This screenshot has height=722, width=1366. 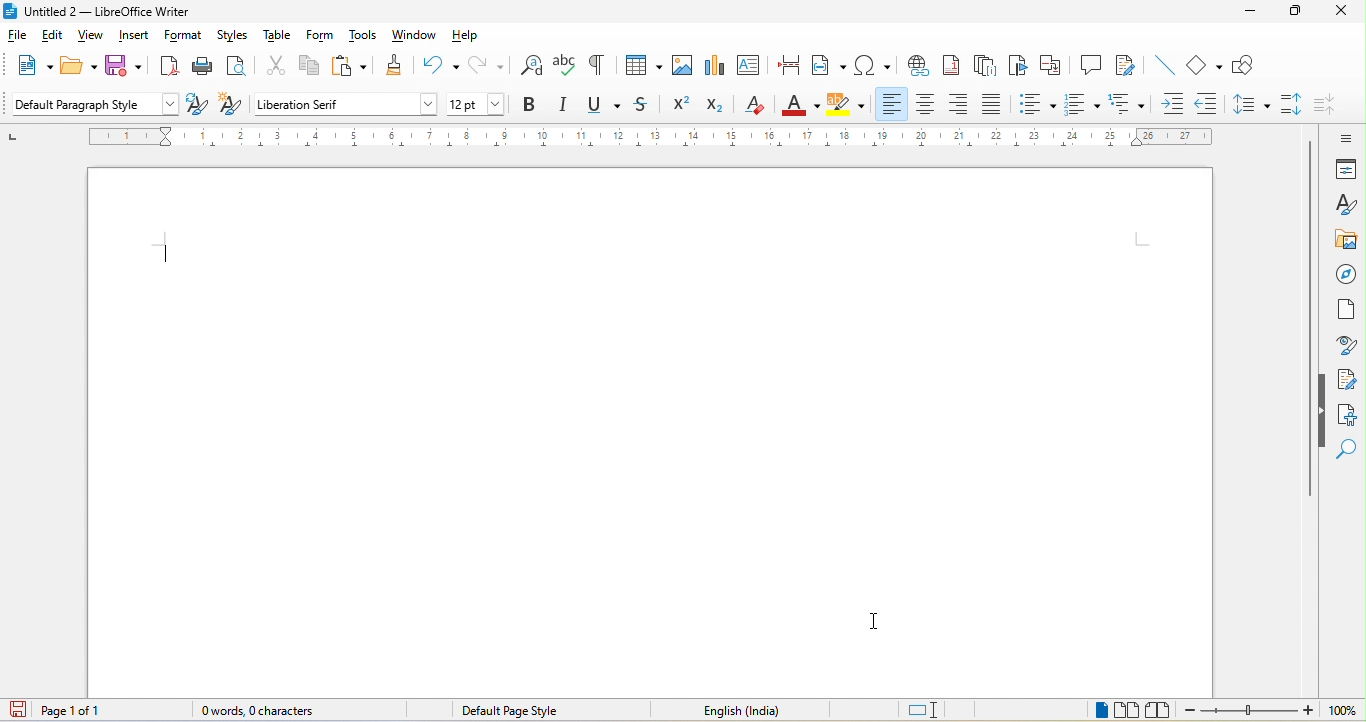 What do you see at coordinates (1348, 380) in the screenshot?
I see `manage changes` at bounding box center [1348, 380].